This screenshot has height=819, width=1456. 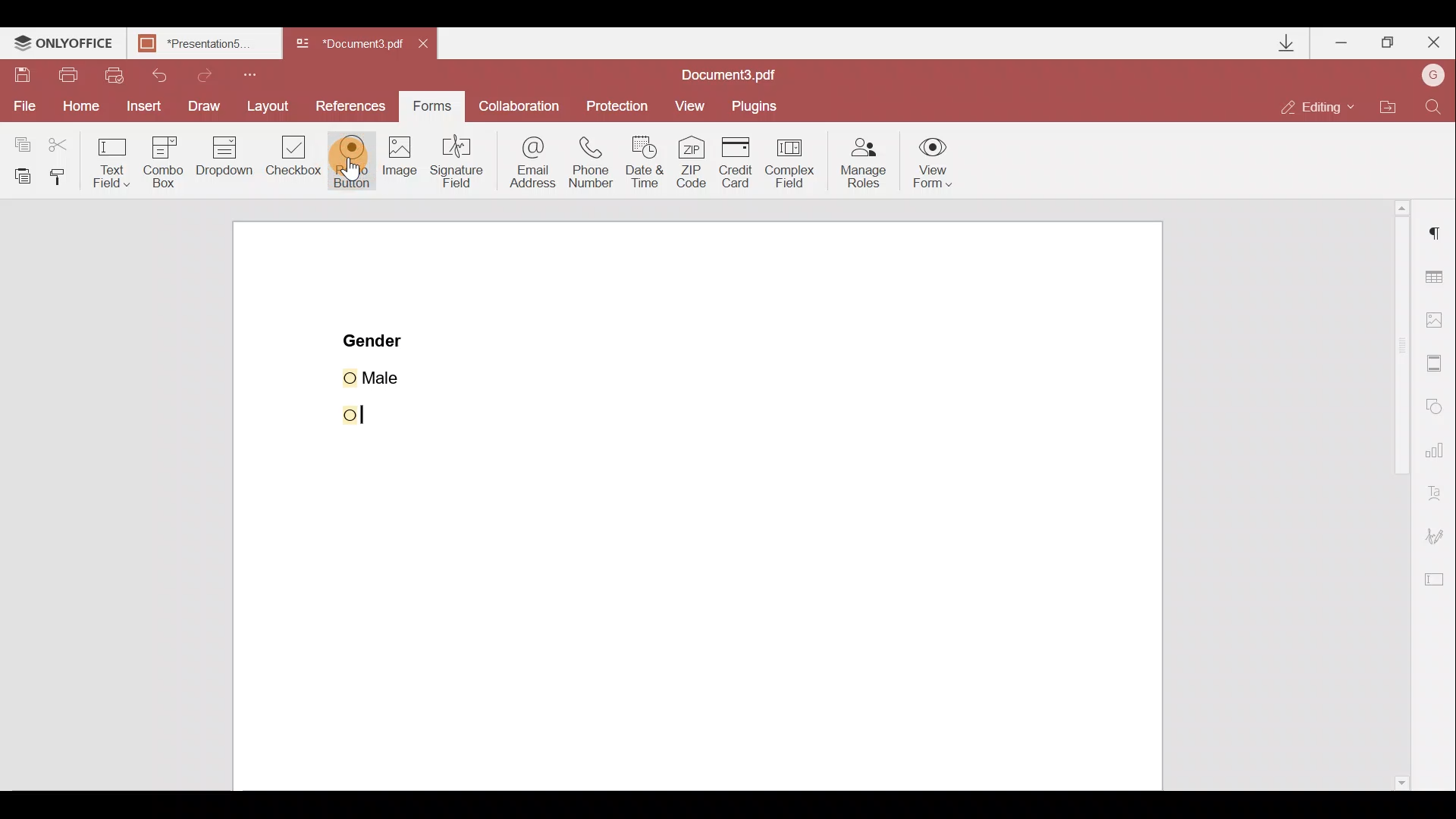 What do you see at coordinates (461, 168) in the screenshot?
I see `Signature field` at bounding box center [461, 168].